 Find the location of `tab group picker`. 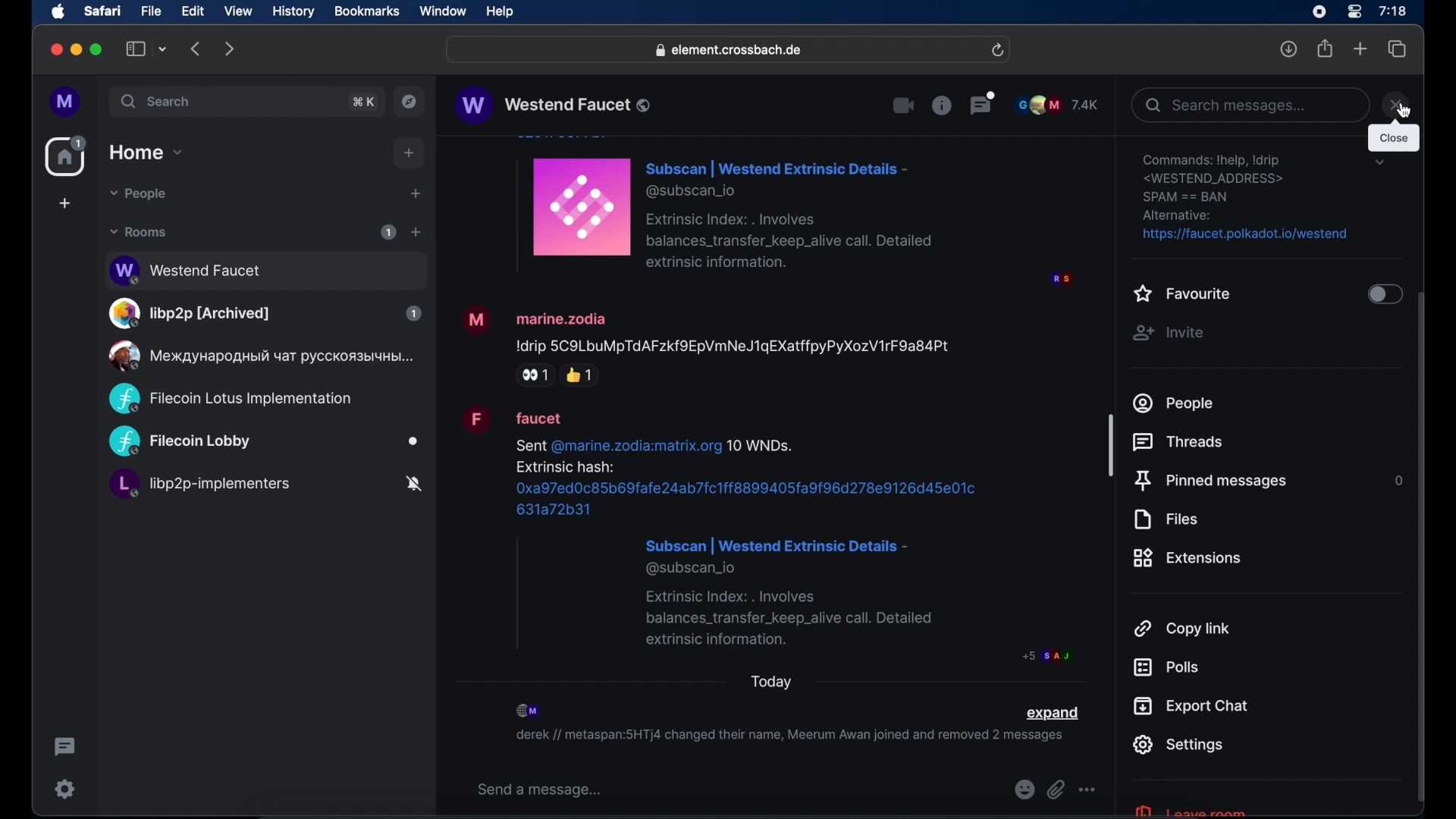

tab group picker is located at coordinates (163, 49).